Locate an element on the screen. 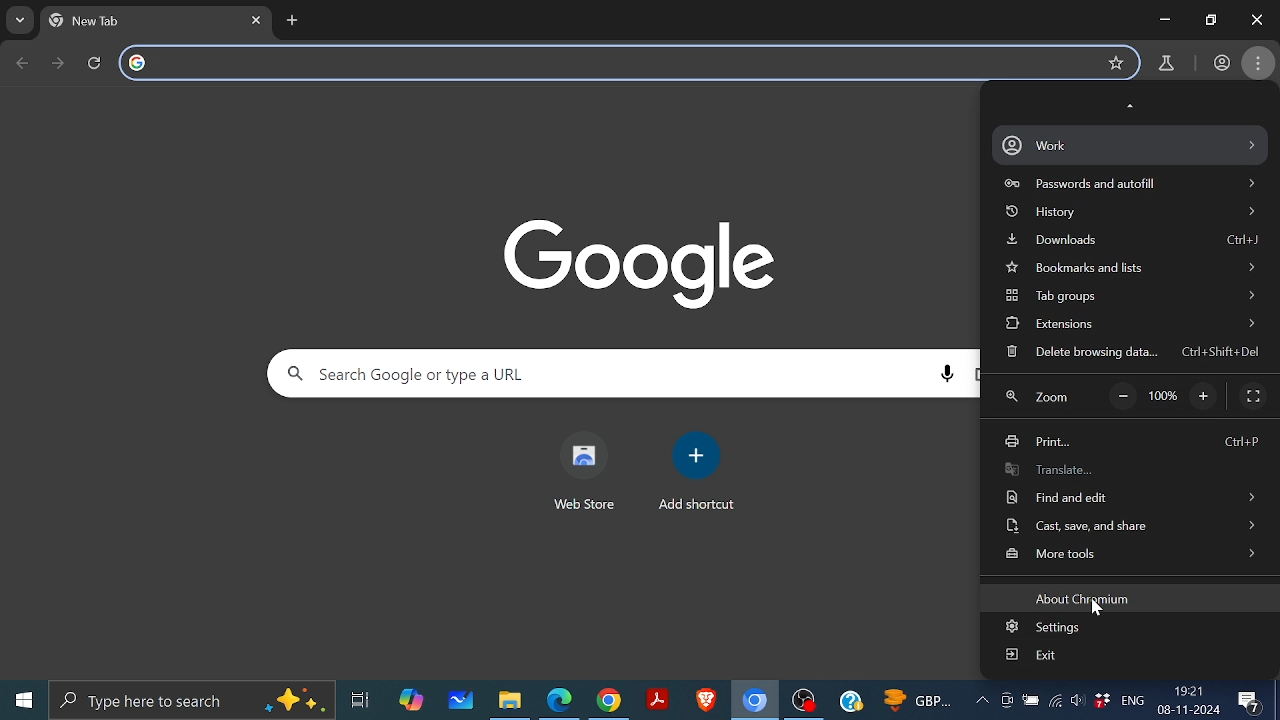 The width and height of the screenshot is (1280, 720). 19:21 08-11-2024 is located at coordinates (1191, 701).